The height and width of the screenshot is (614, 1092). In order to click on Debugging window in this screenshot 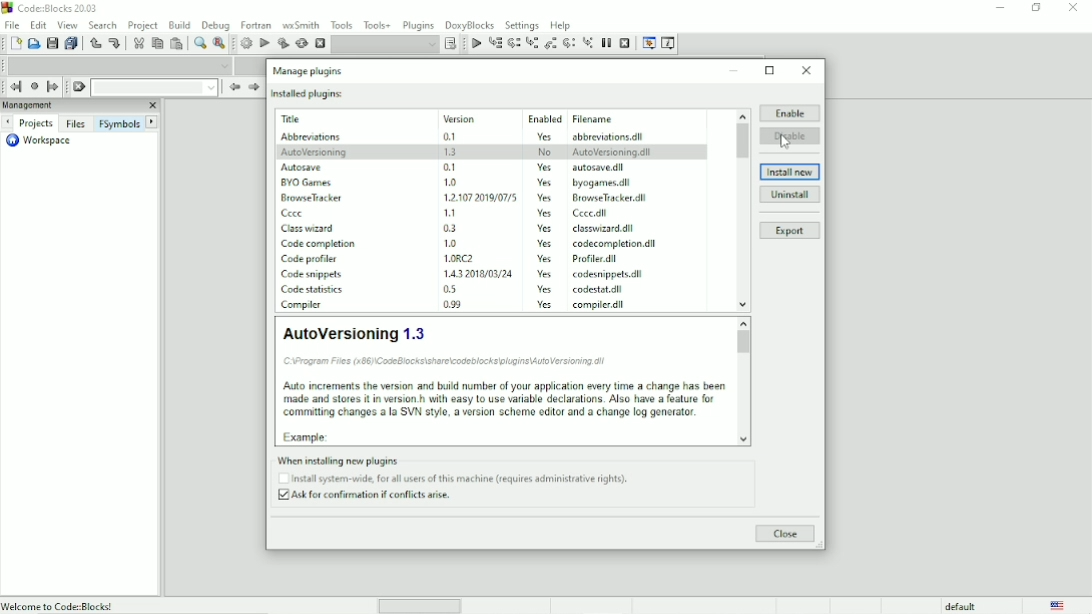, I will do `click(648, 43)`.